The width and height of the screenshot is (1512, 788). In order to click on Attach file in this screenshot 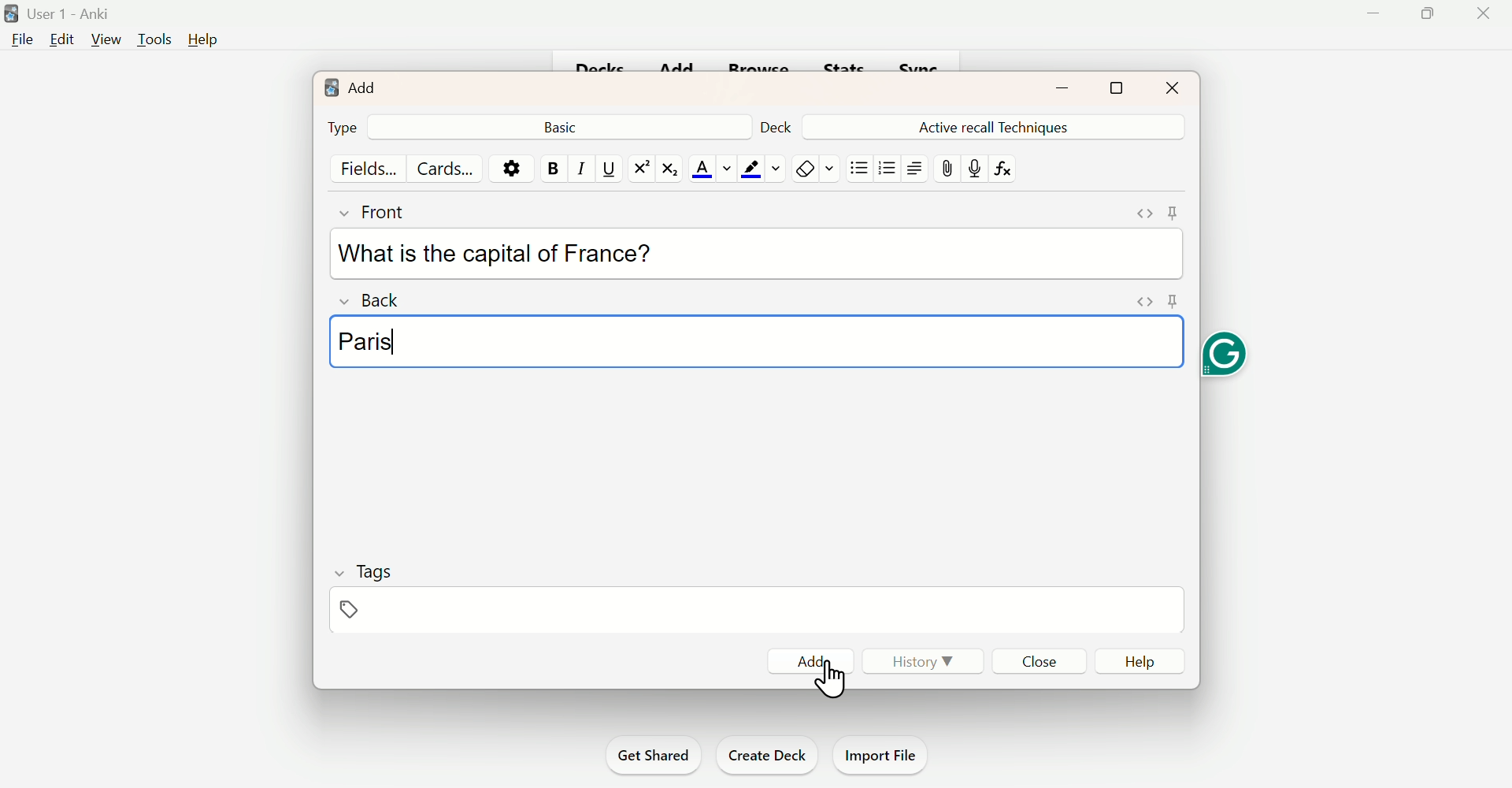, I will do `click(949, 170)`.